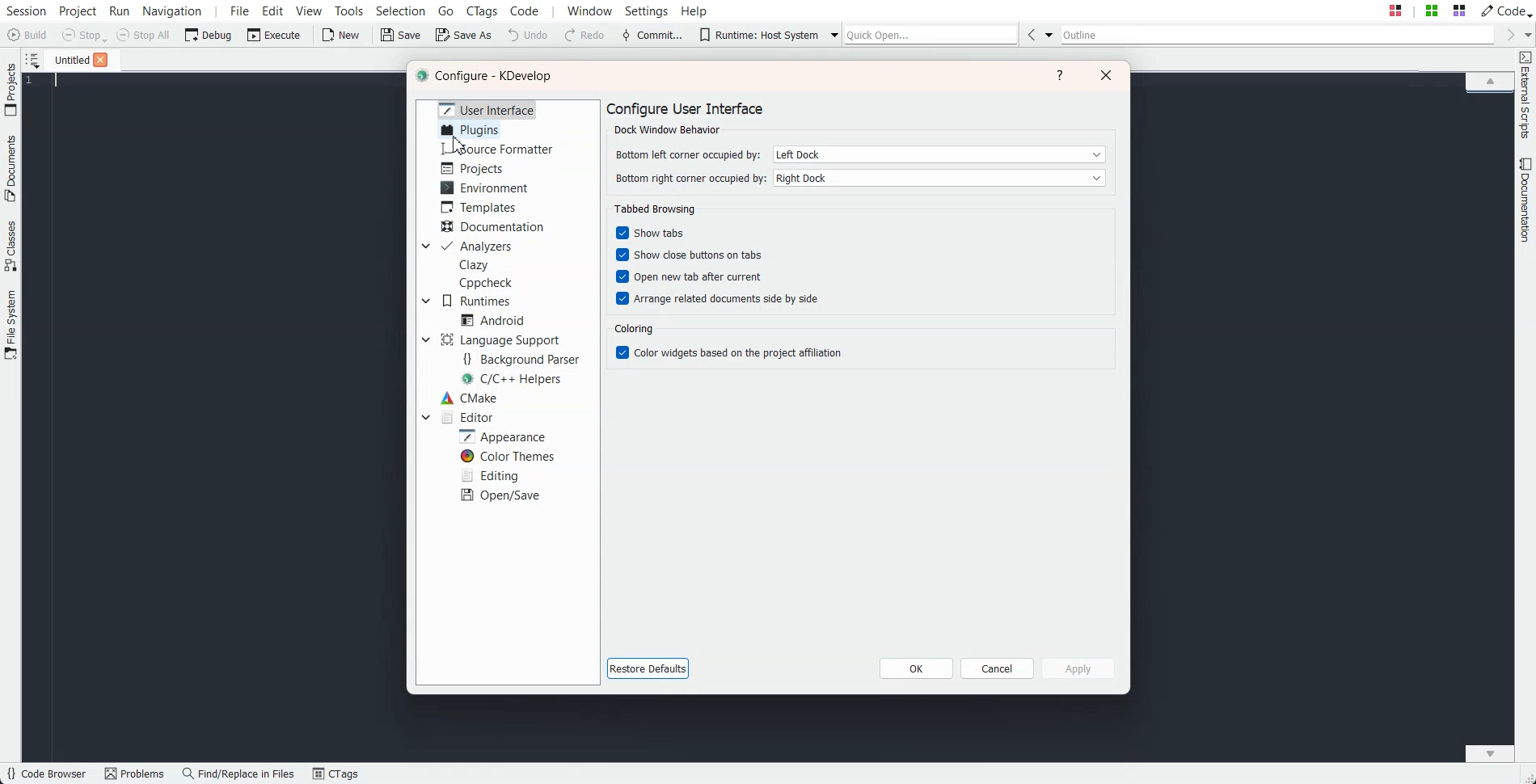 The width and height of the screenshot is (1536, 784). What do you see at coordinates (11, 89) in the screenshot?
I see `Project` at bounding box center [11, 89].